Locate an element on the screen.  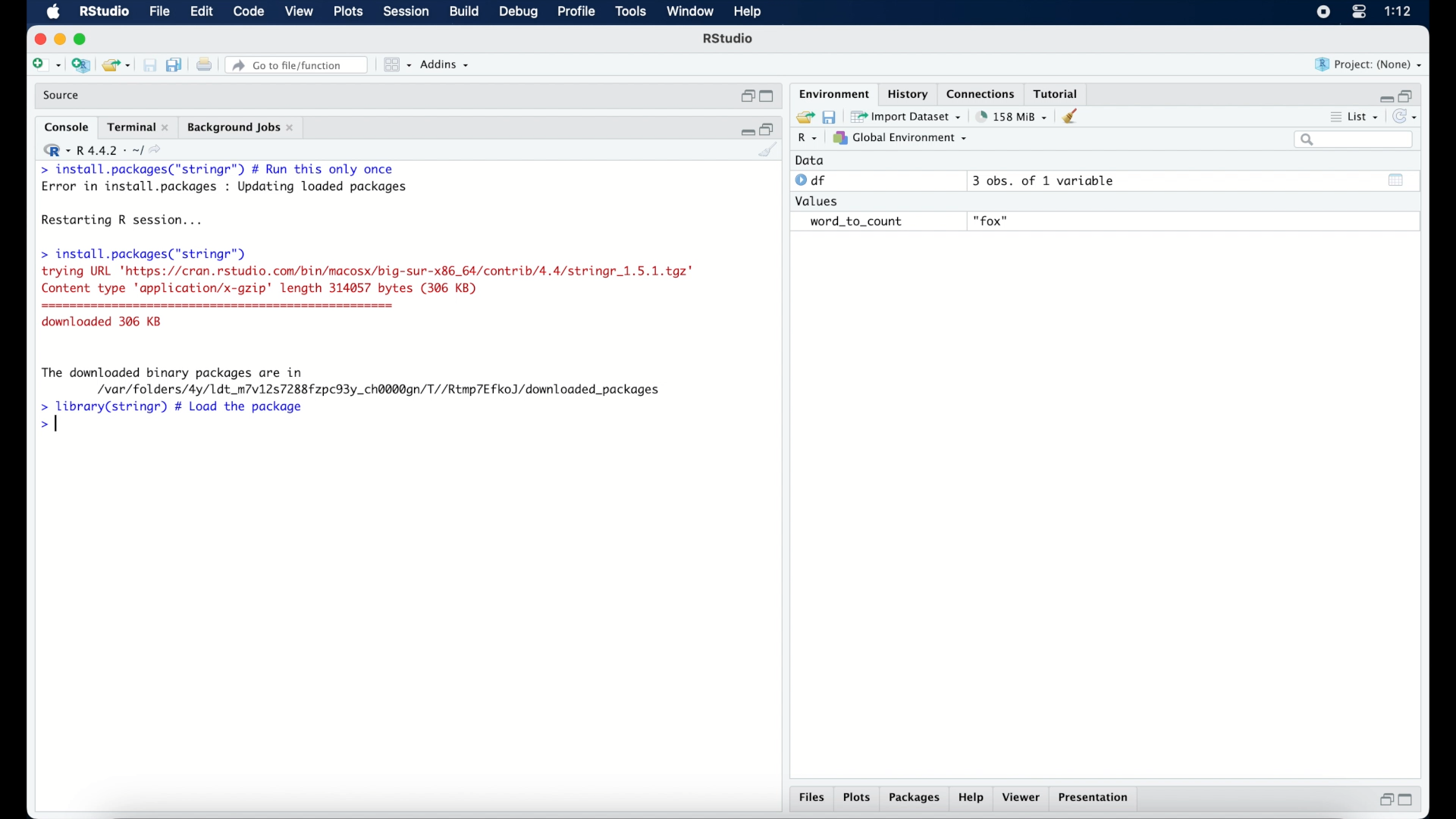
R Studio is located at coordinates (103, 12).